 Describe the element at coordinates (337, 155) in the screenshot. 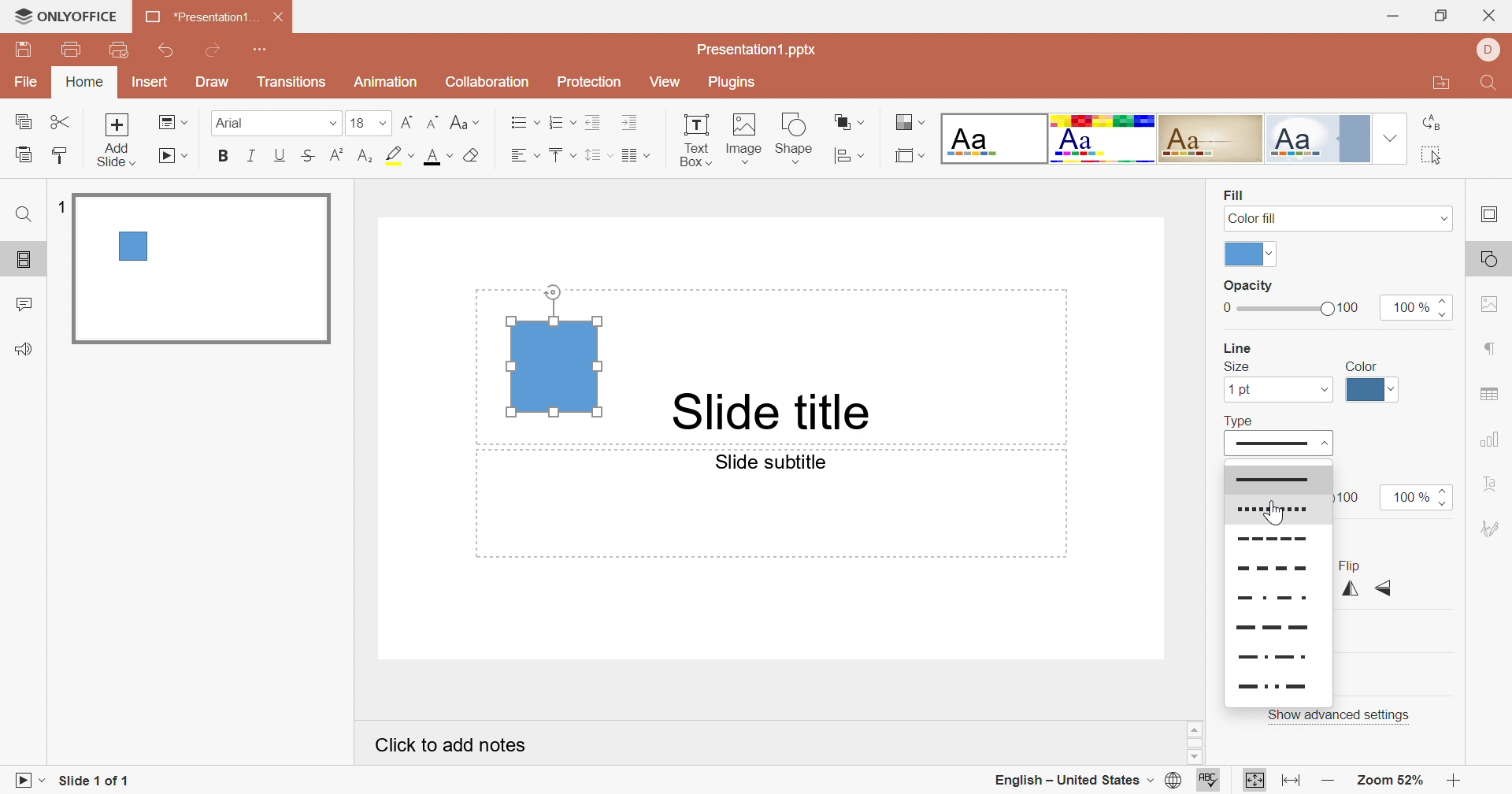

I see `Superscript` at that location.